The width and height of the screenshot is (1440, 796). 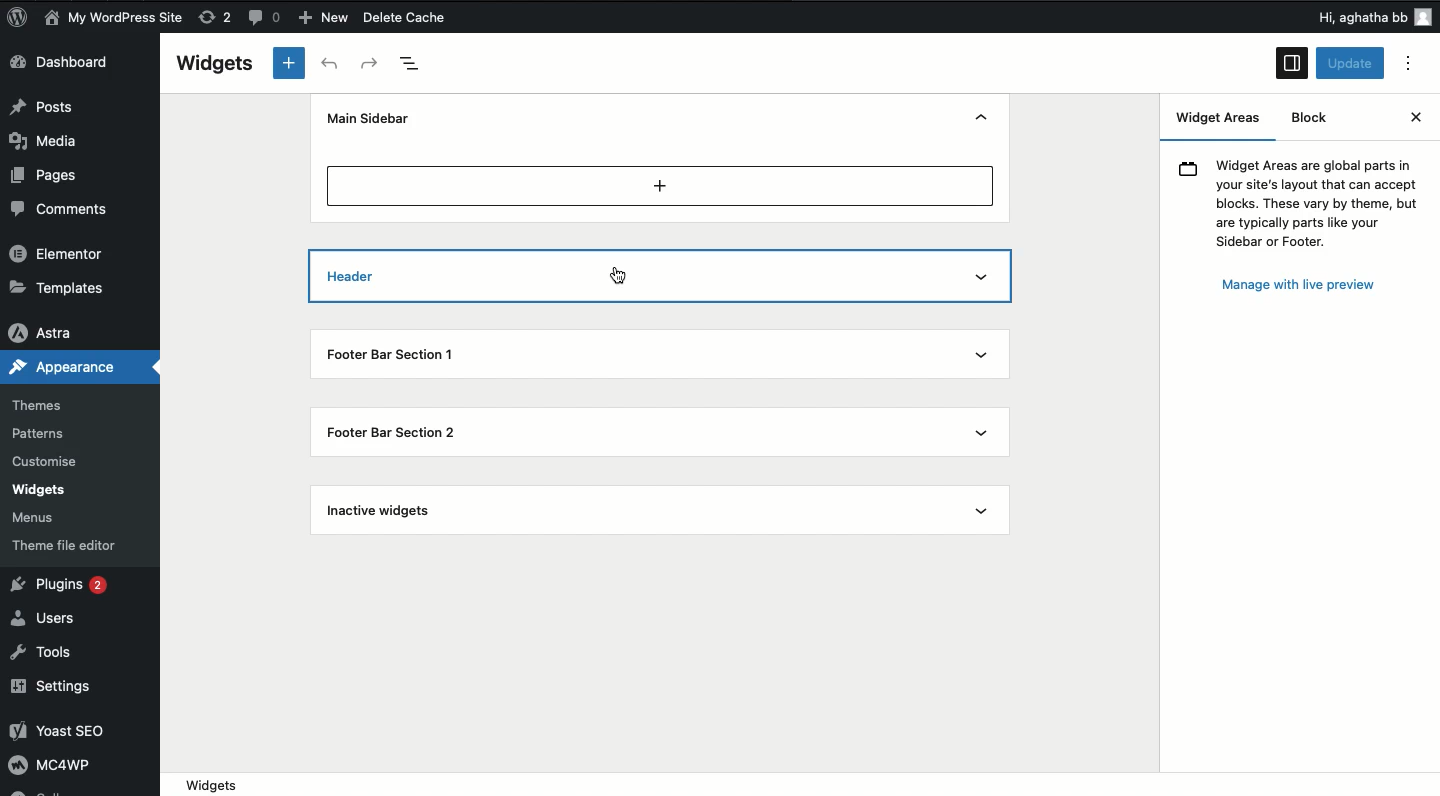 I want to click on Elementor, so click(x=60, y=255).